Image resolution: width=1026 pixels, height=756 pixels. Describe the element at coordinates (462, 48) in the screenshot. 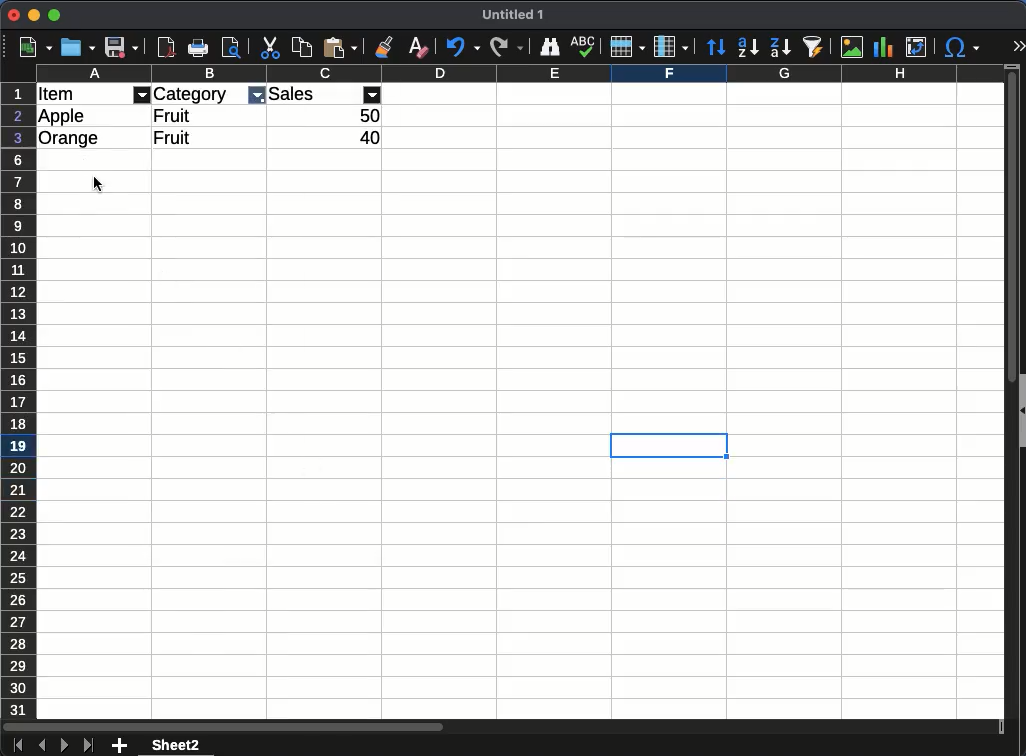

I see `undo` at that location.